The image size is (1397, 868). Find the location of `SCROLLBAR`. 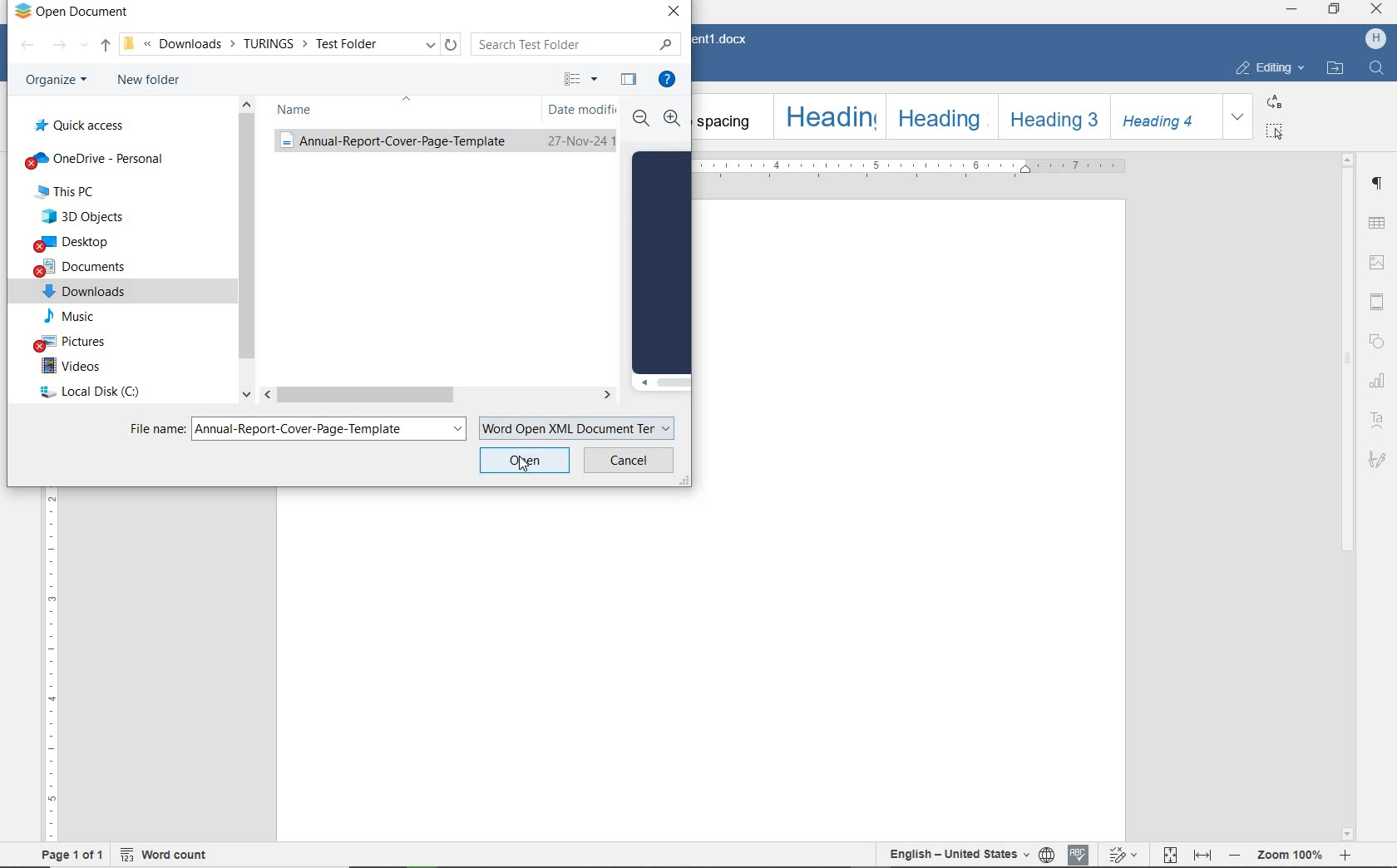

SCROLLBAR is located at coordinates (442, 396).